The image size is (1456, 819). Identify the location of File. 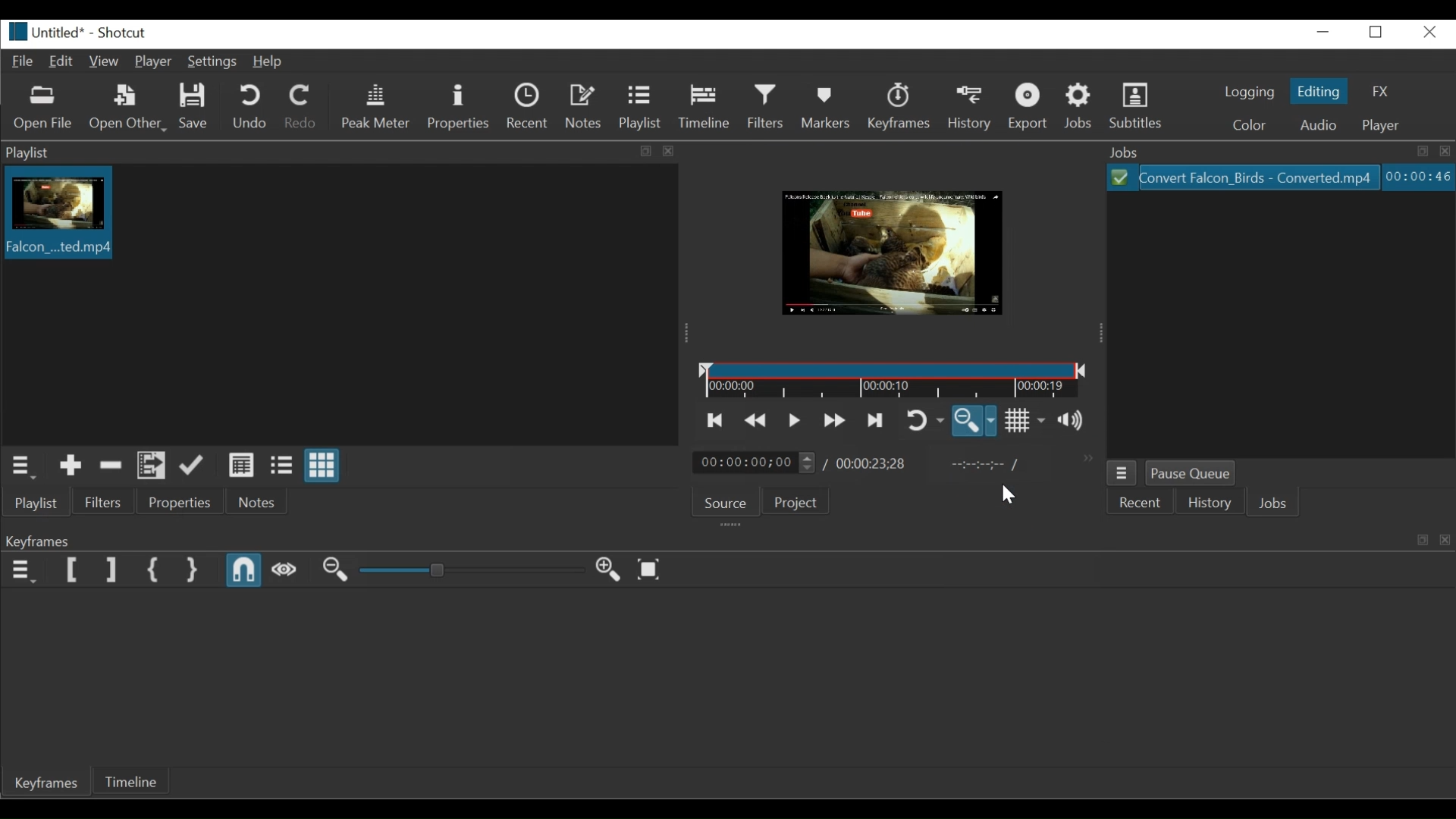
(1241, 177).